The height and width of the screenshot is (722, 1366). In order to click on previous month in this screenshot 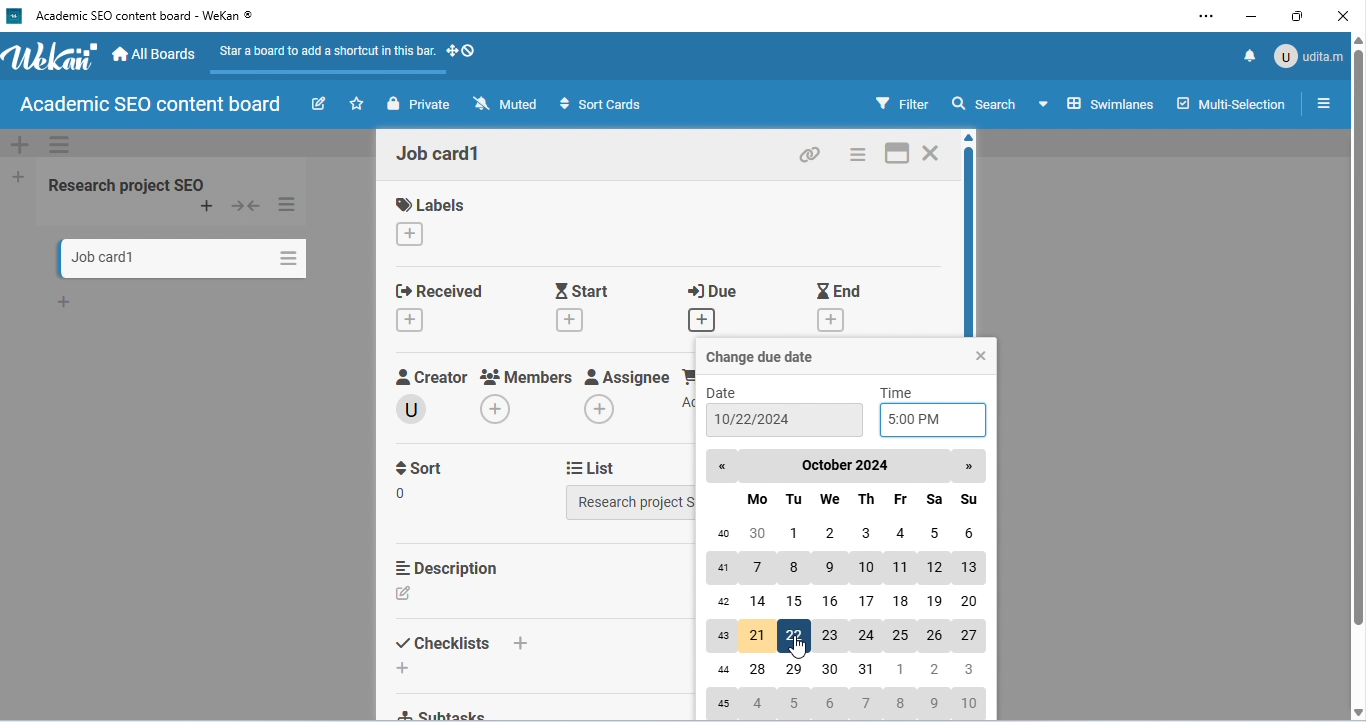, I will do `click(722, 467)`.